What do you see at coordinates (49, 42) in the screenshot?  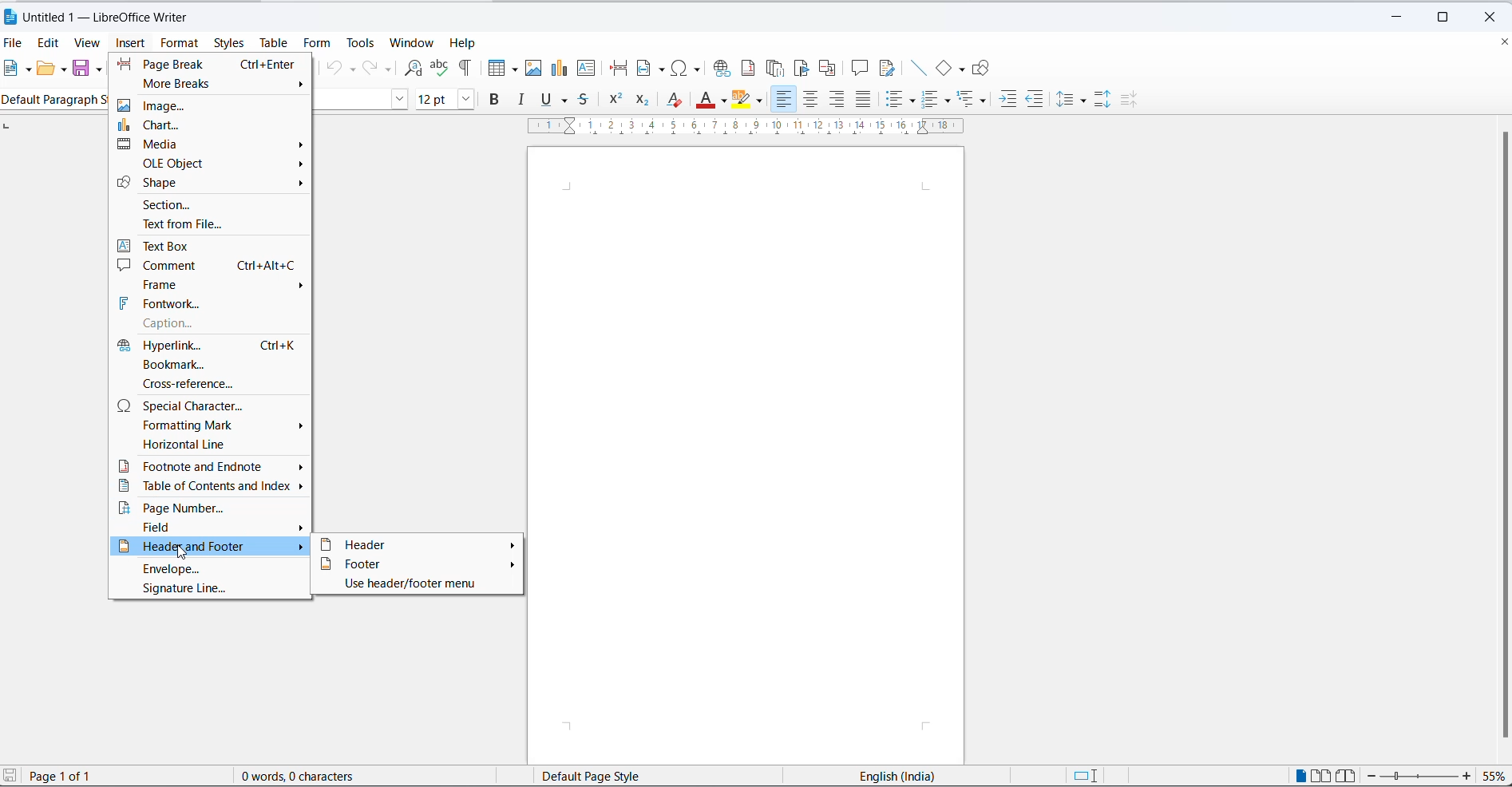 I see `edit` at bounding box center [49, 42].